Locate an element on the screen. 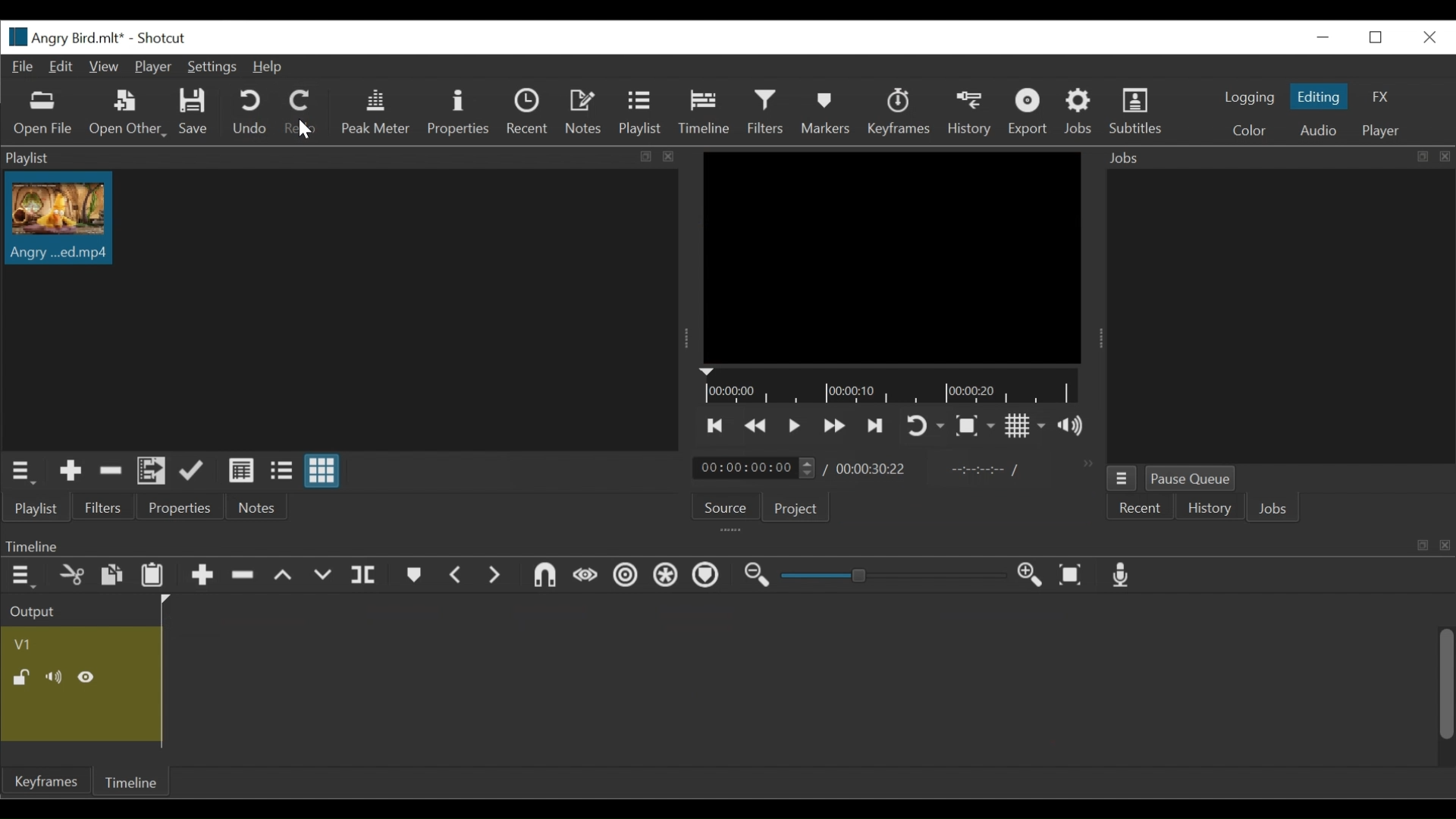  Toggle zoom is located at coordinates (974, 426).